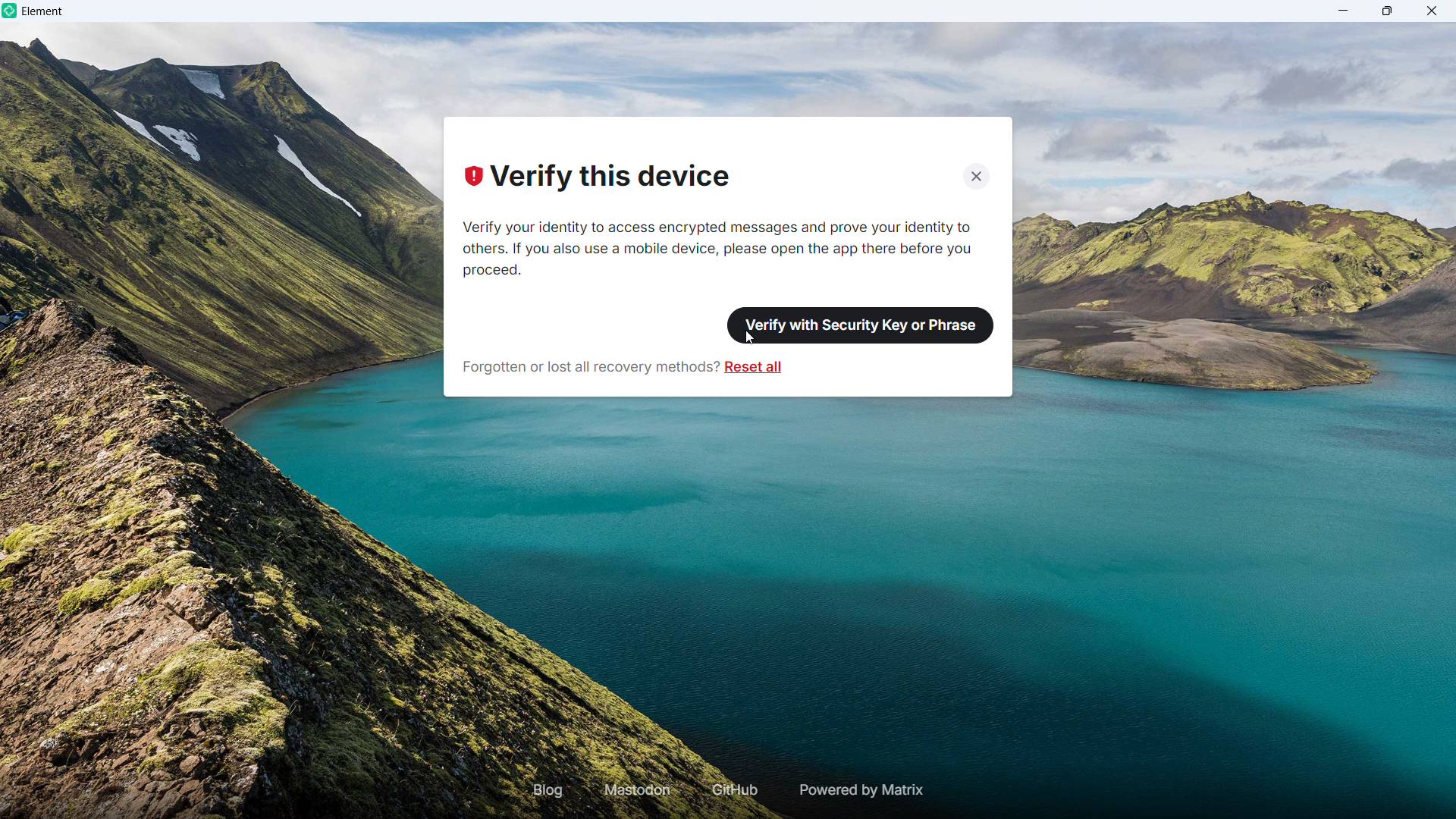  What do you see at coordinates (732, 791) in the screenshot?
I see `GIT hub ` at bounding box center [732, 791].